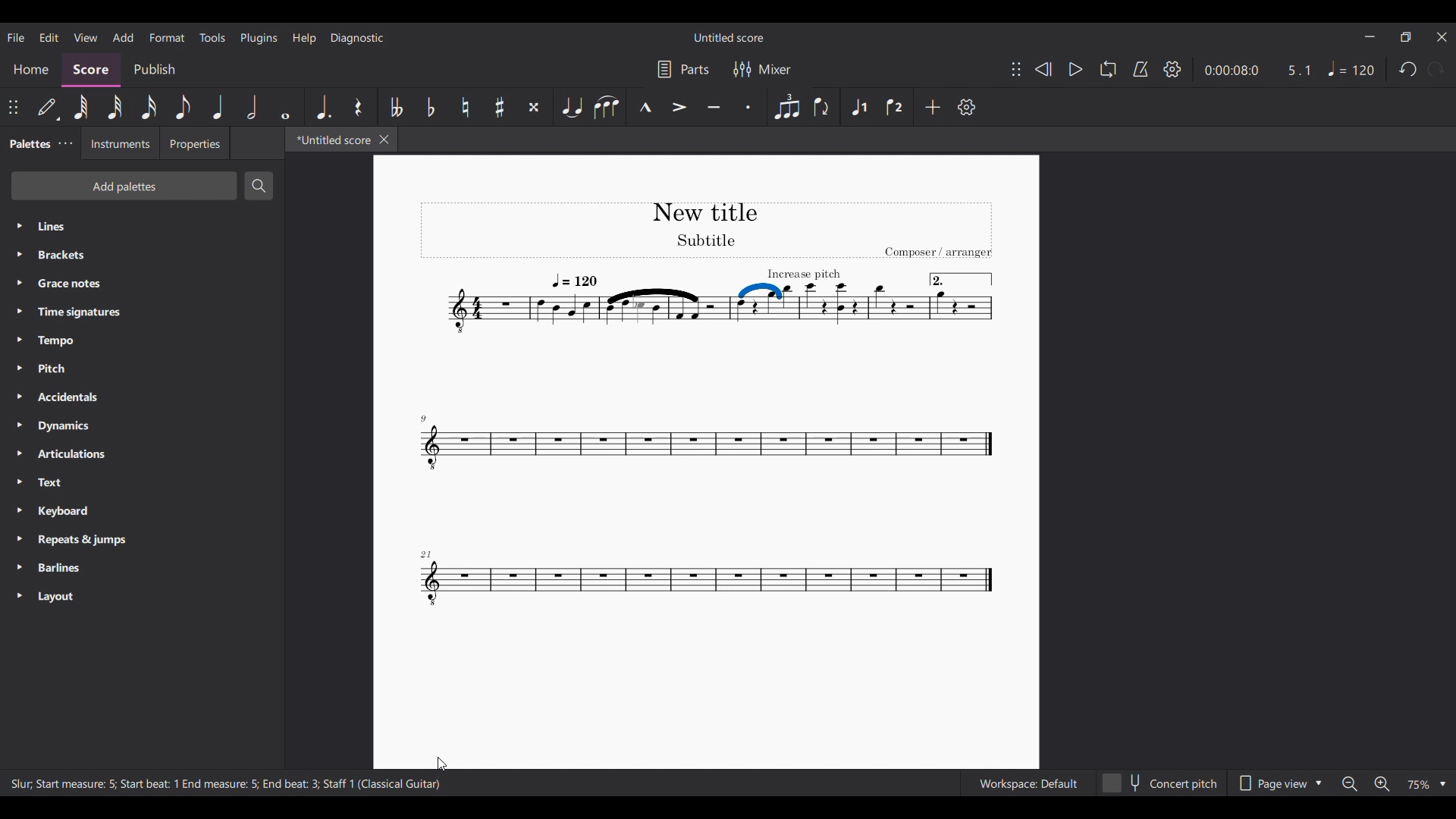  Describe the element at coordinates (1016, 69) in the screenshot. I see `Change position` at that location.